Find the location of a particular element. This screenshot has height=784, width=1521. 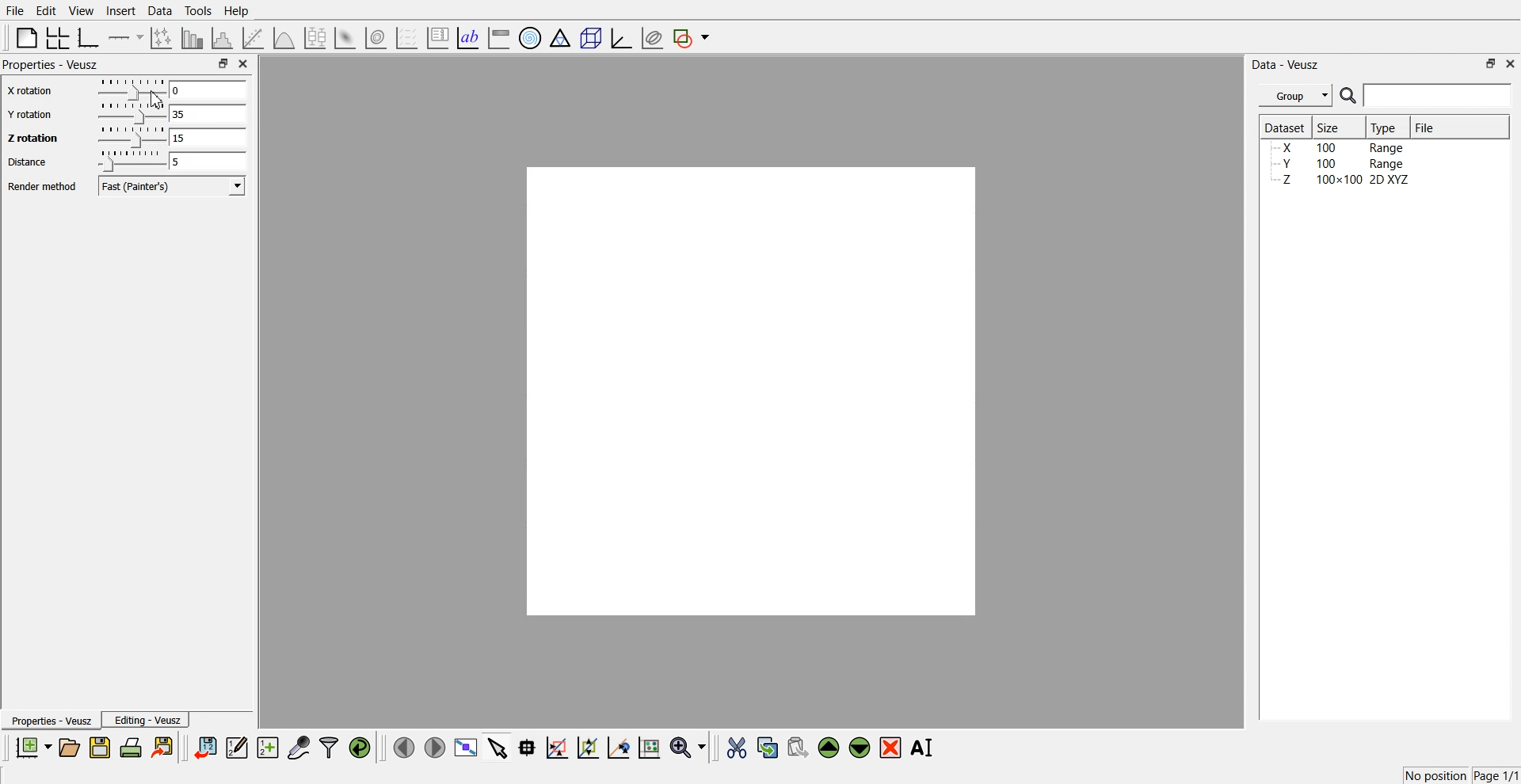

Maximize is located at coordinates (223, 63).